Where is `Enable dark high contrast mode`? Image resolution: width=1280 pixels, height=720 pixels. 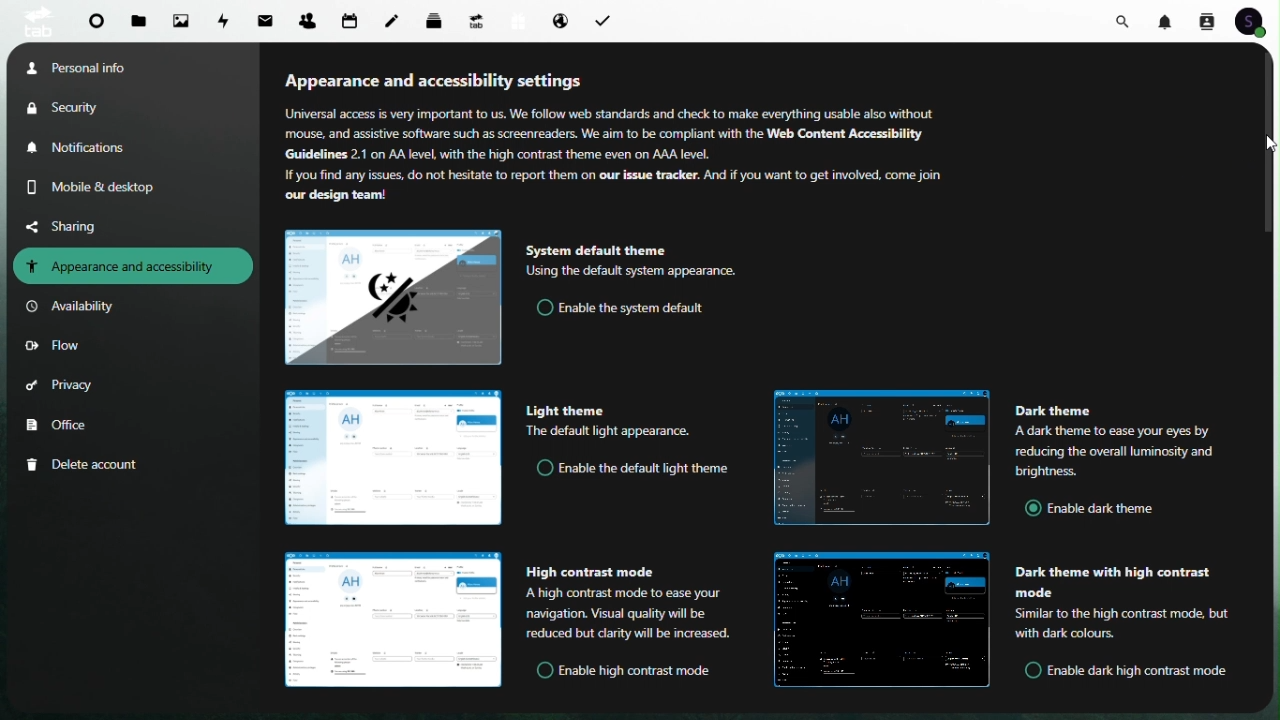 Enable dark high contrast mode is located at coordinates (1128, 669).